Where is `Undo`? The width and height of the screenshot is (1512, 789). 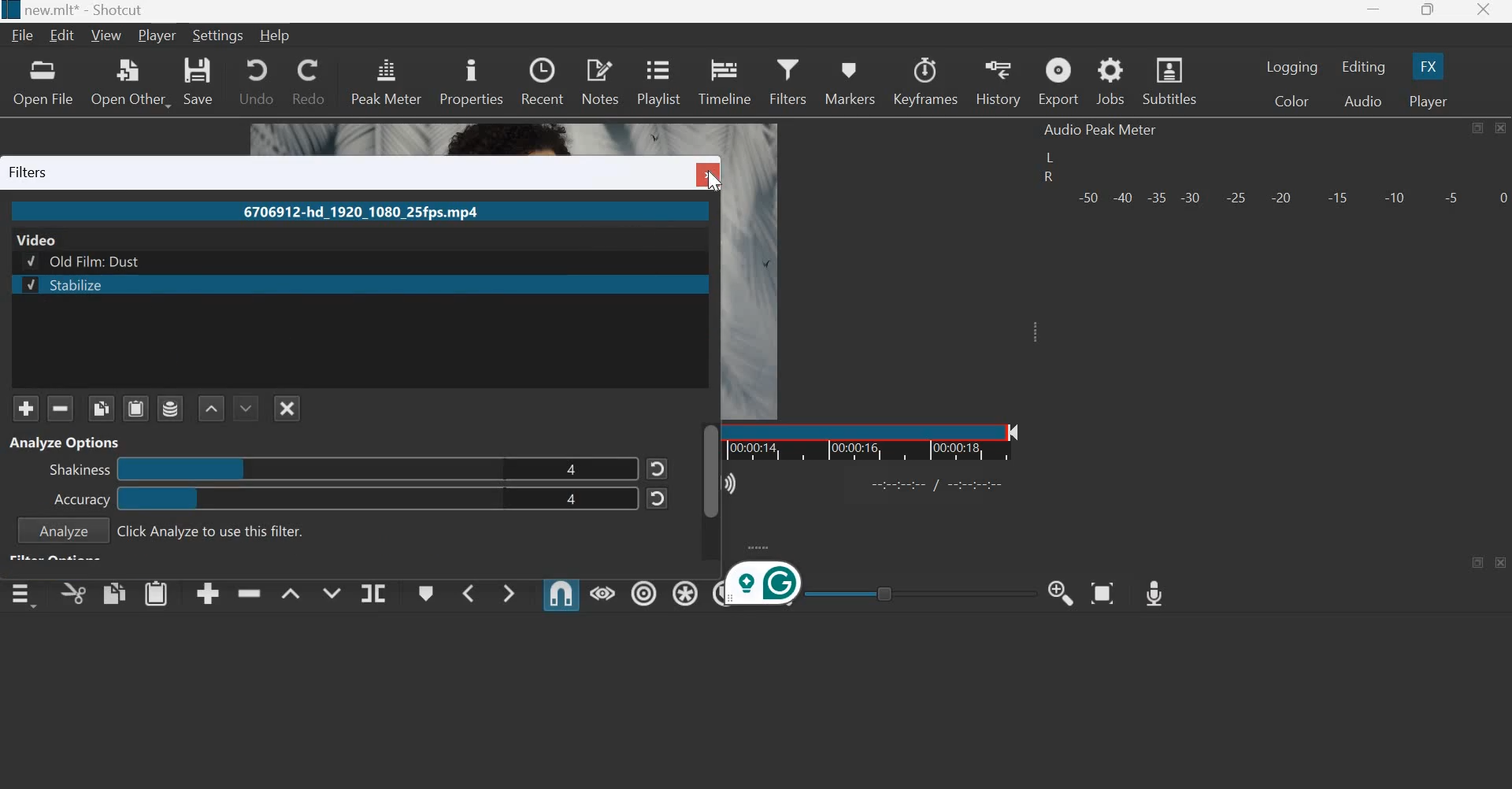 Undo is located at coordinates (254, 82).